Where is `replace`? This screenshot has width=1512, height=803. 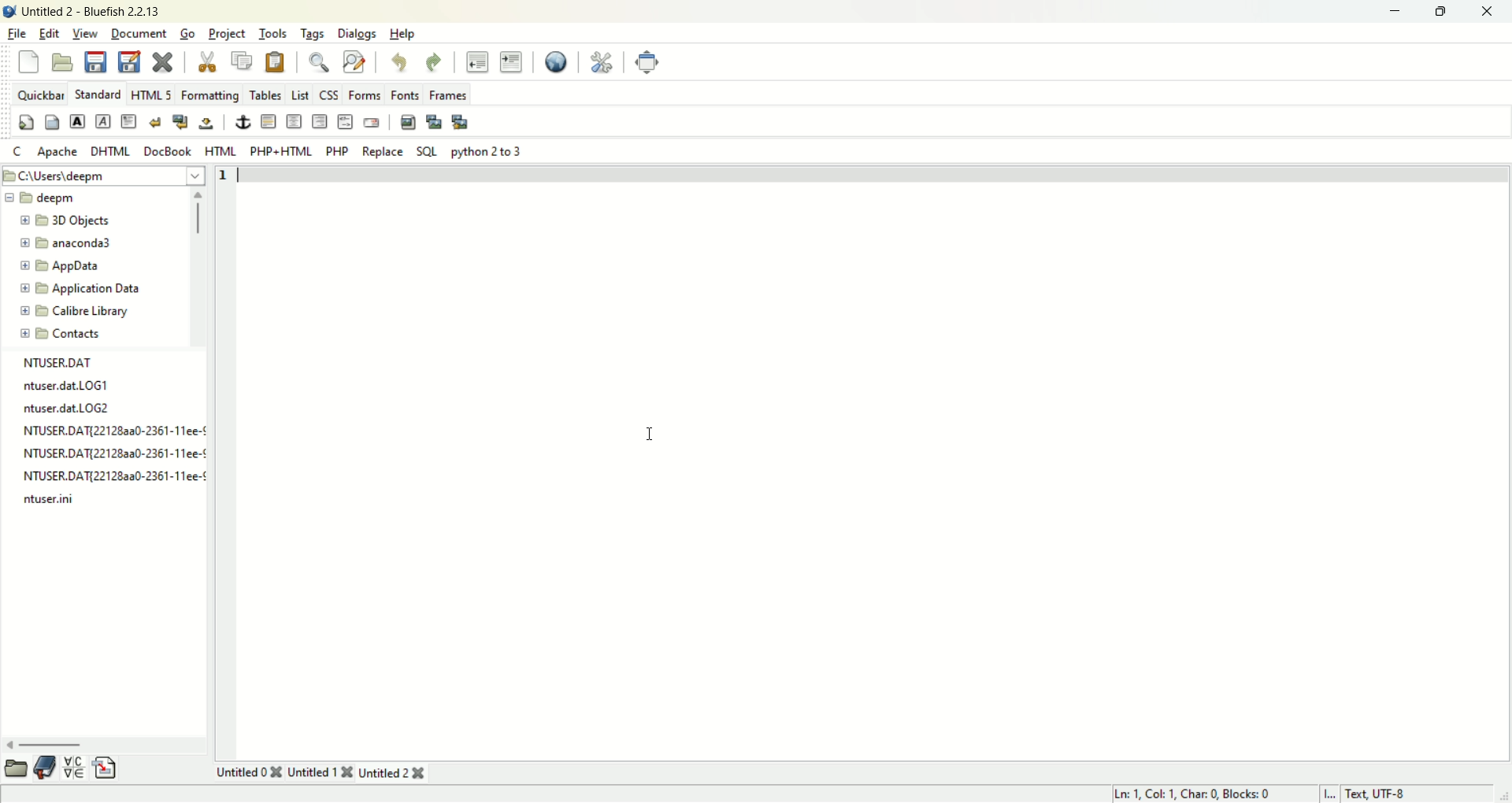 replace is located at coordinates (383, 152).